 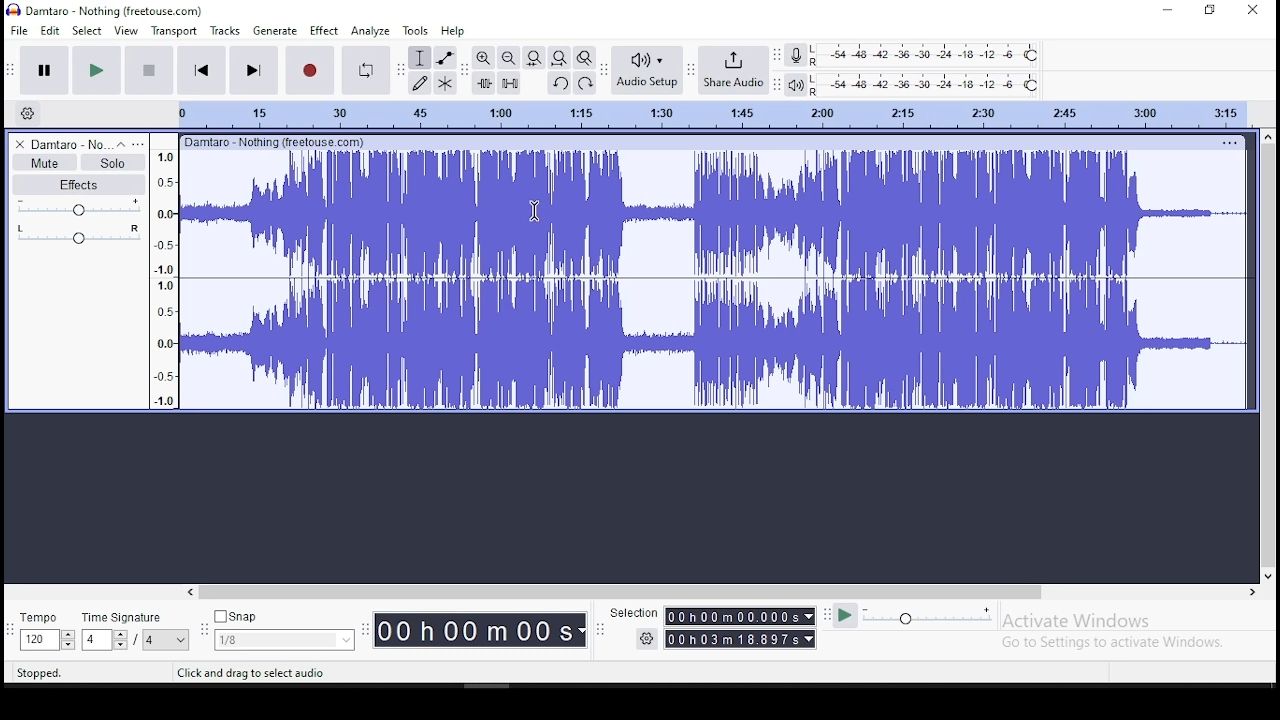 I want to click on envelope tool, so click(x=445, y=58).